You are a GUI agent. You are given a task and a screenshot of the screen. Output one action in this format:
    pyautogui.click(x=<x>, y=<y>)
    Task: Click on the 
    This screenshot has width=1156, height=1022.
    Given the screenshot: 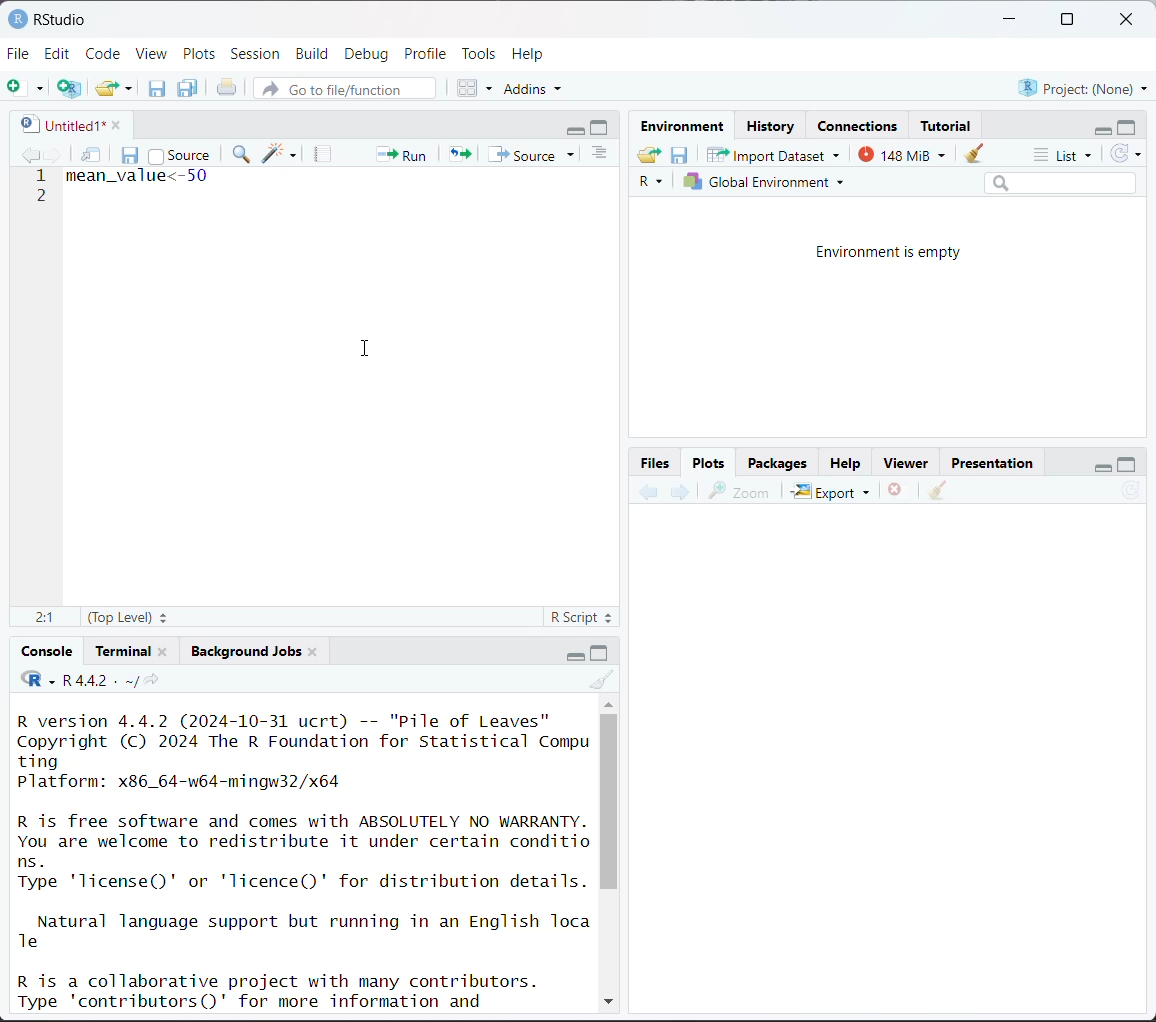 What is the action you would take?
    pyautogui.click(x=657, y=462)
    